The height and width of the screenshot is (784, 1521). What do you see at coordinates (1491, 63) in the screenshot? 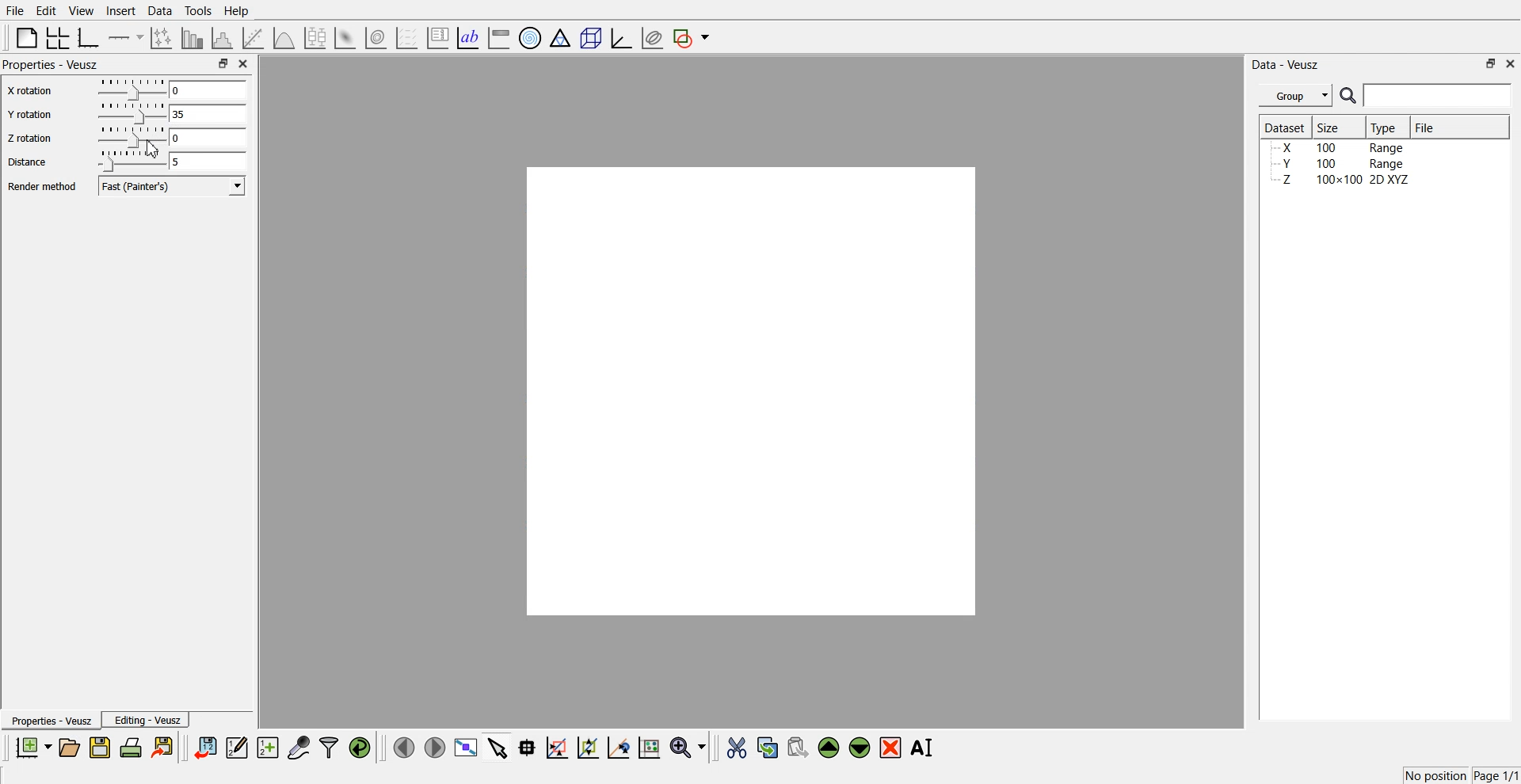
I see `Maximize` at bounding box center [1491, 63].